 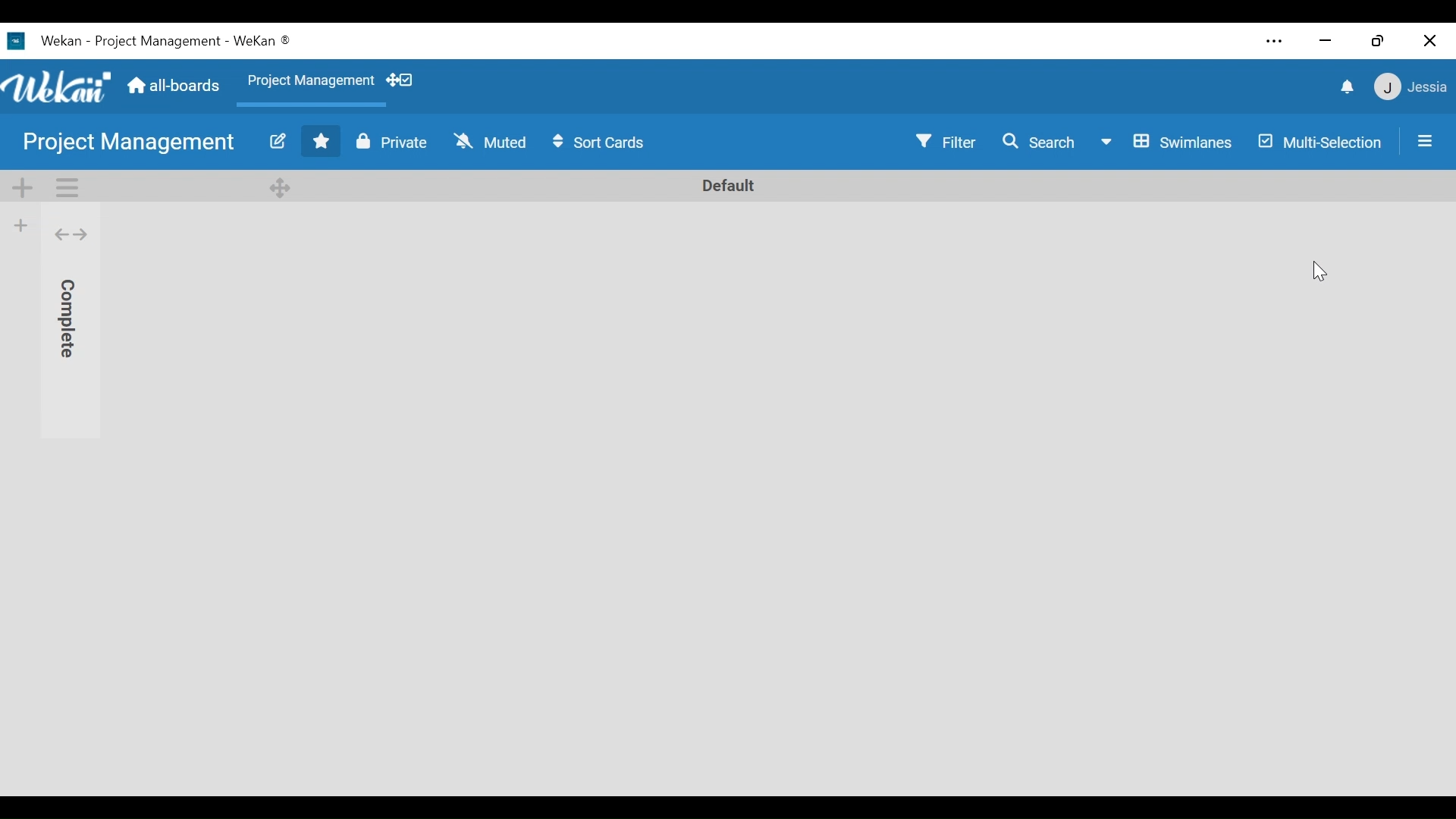 What do you see at coordinates (22, 187) in the screenshot?
I see `Add Swimlane` at bounding box center [22, 187].